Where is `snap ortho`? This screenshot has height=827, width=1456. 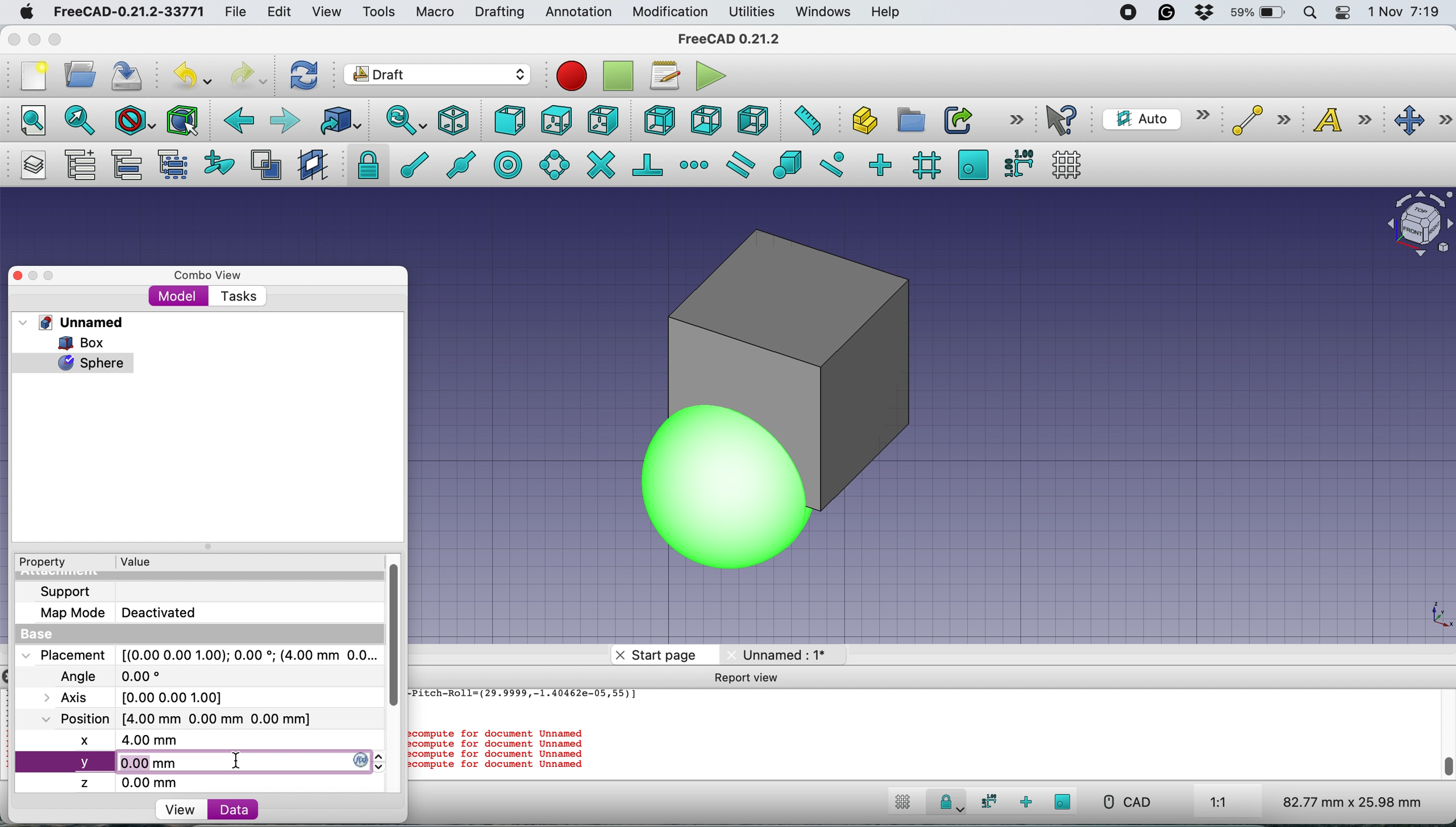 snap ortho is located at coordinates (1027, 802).